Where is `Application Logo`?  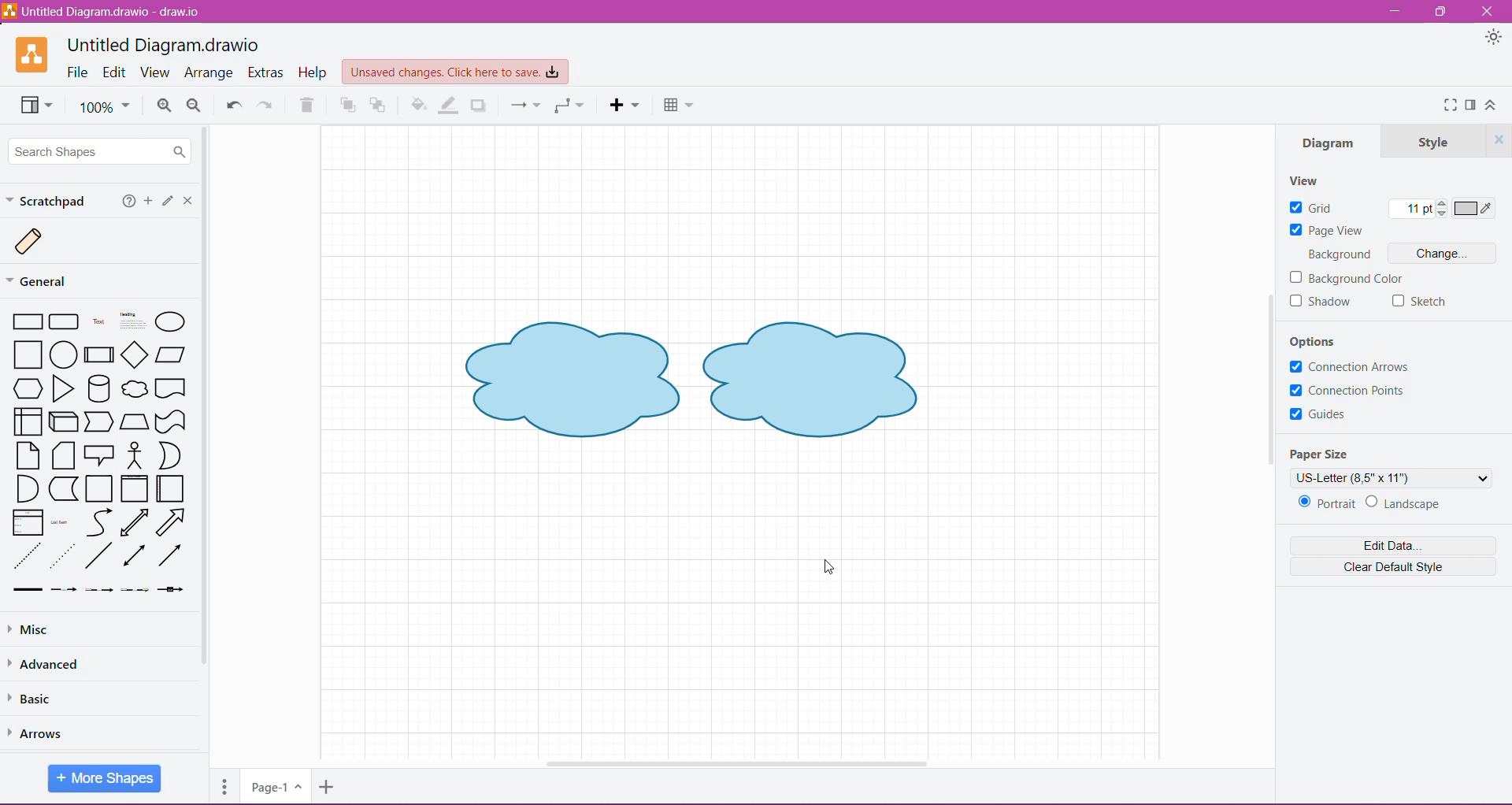
Application Logo is located at coordinates (33, 54).